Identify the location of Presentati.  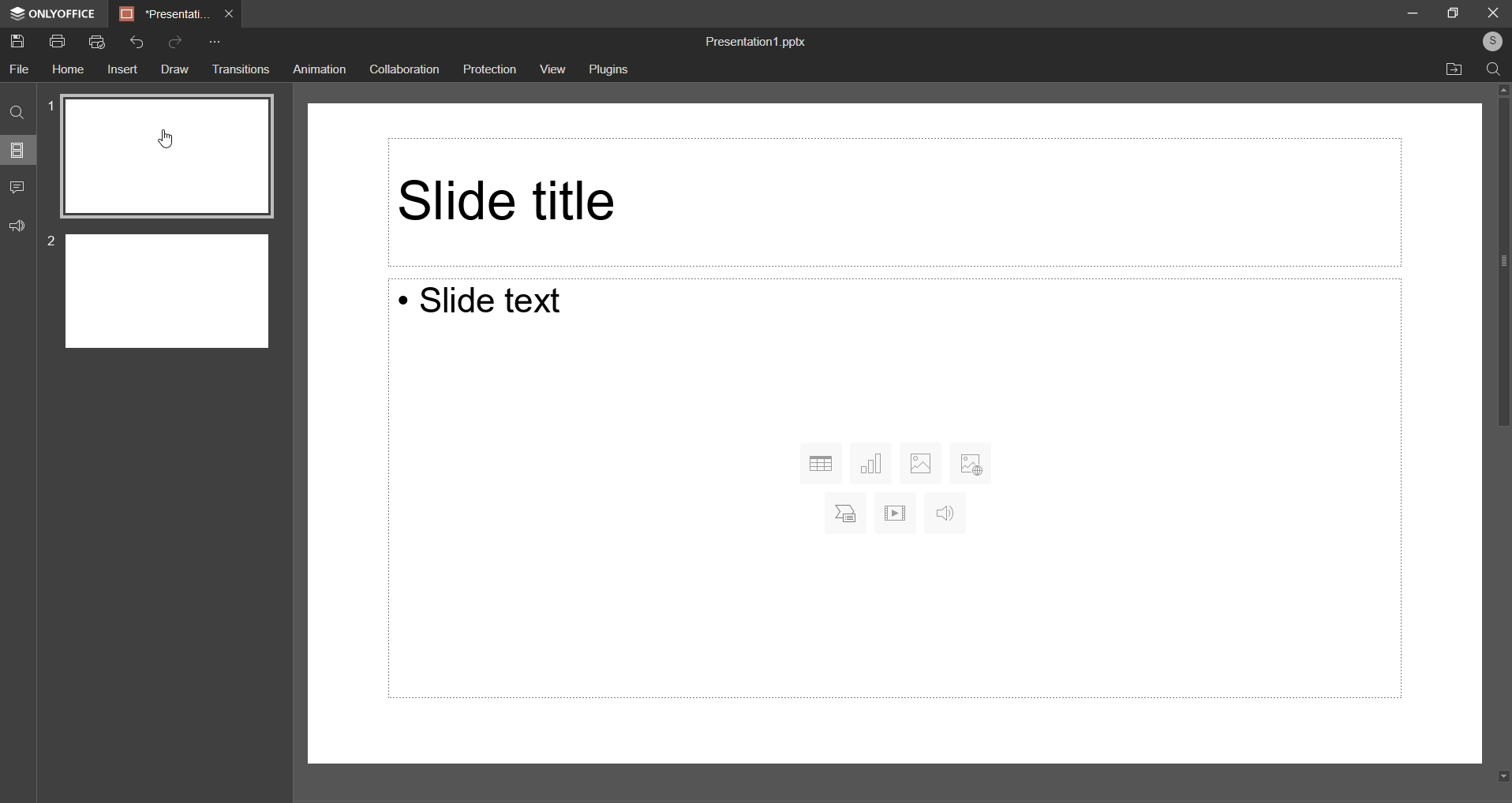
(165, 13).